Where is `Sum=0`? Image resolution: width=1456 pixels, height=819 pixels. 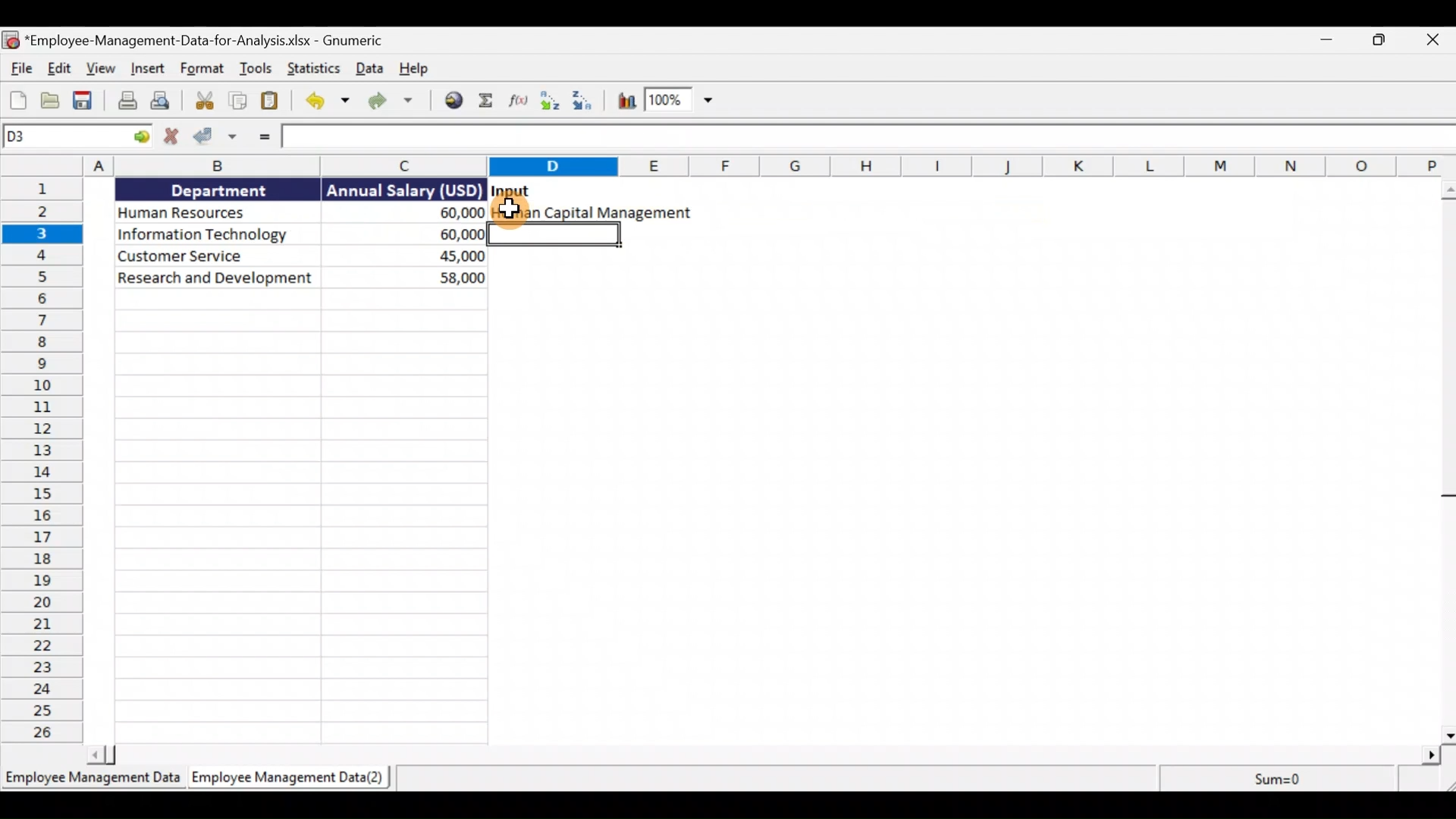
Sum=0 is located at coordinates (1276, 778).